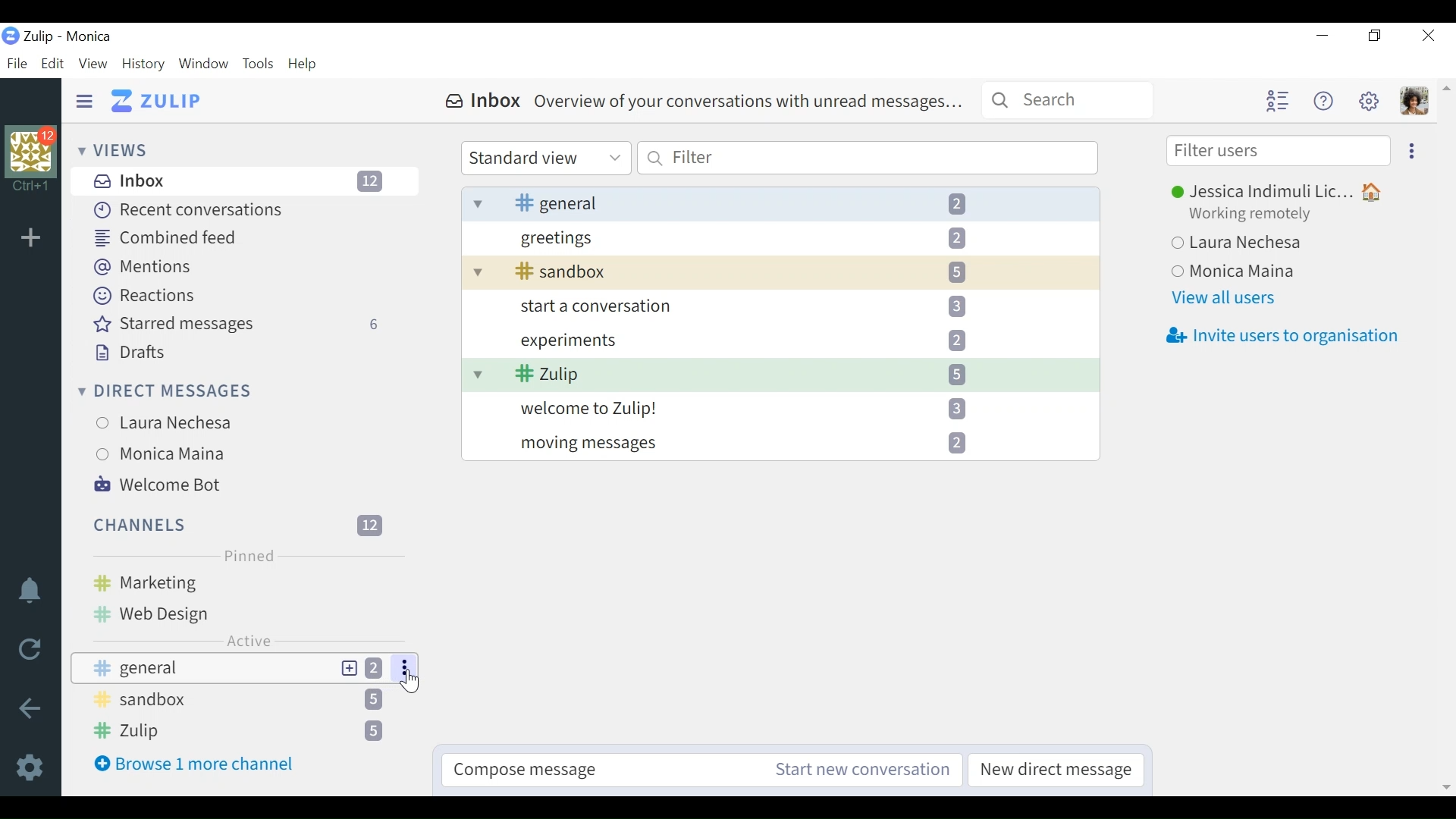 This screenshot has width=1456, height=819. I want to click on minimize, so click(1321, 36).